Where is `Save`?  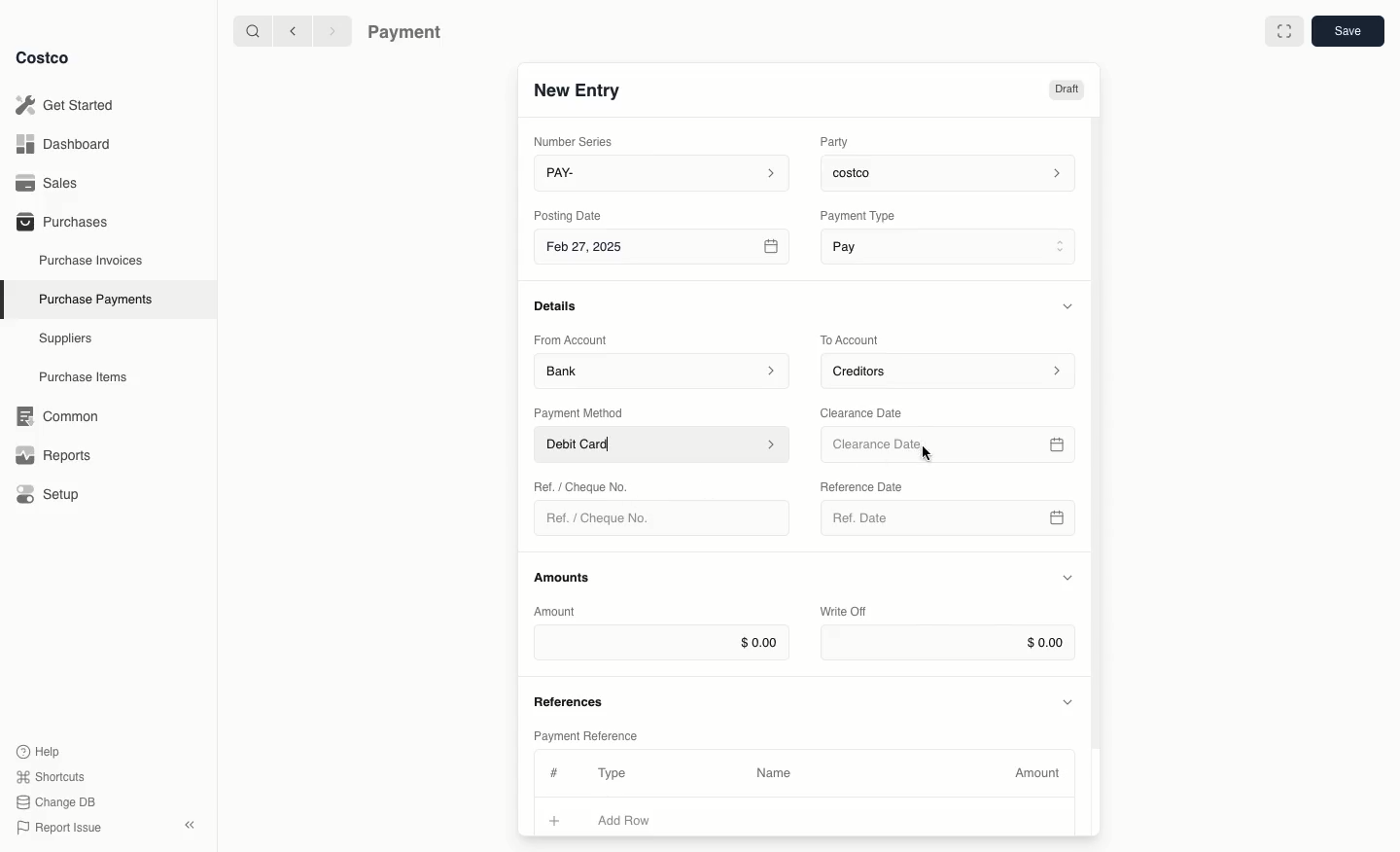 Save is located at coordinates (1347, 30).